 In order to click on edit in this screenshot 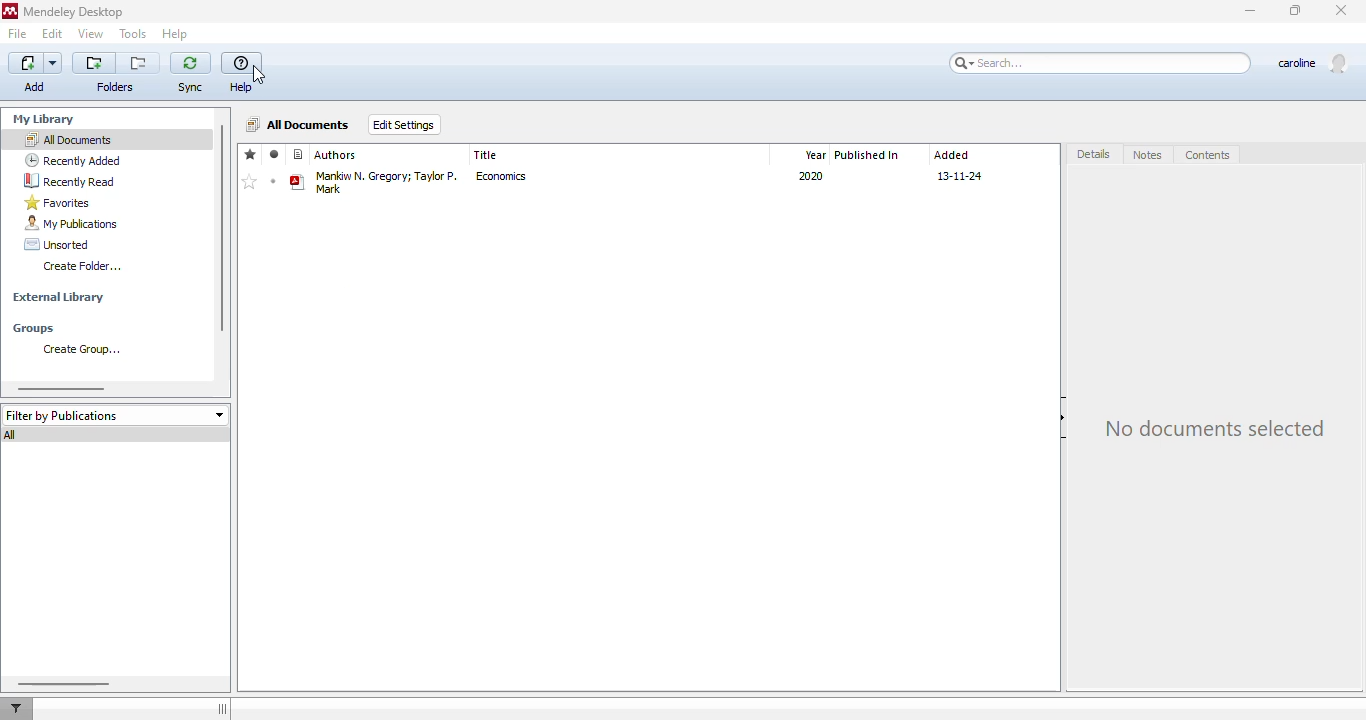, I will do `click(53, 33)`.